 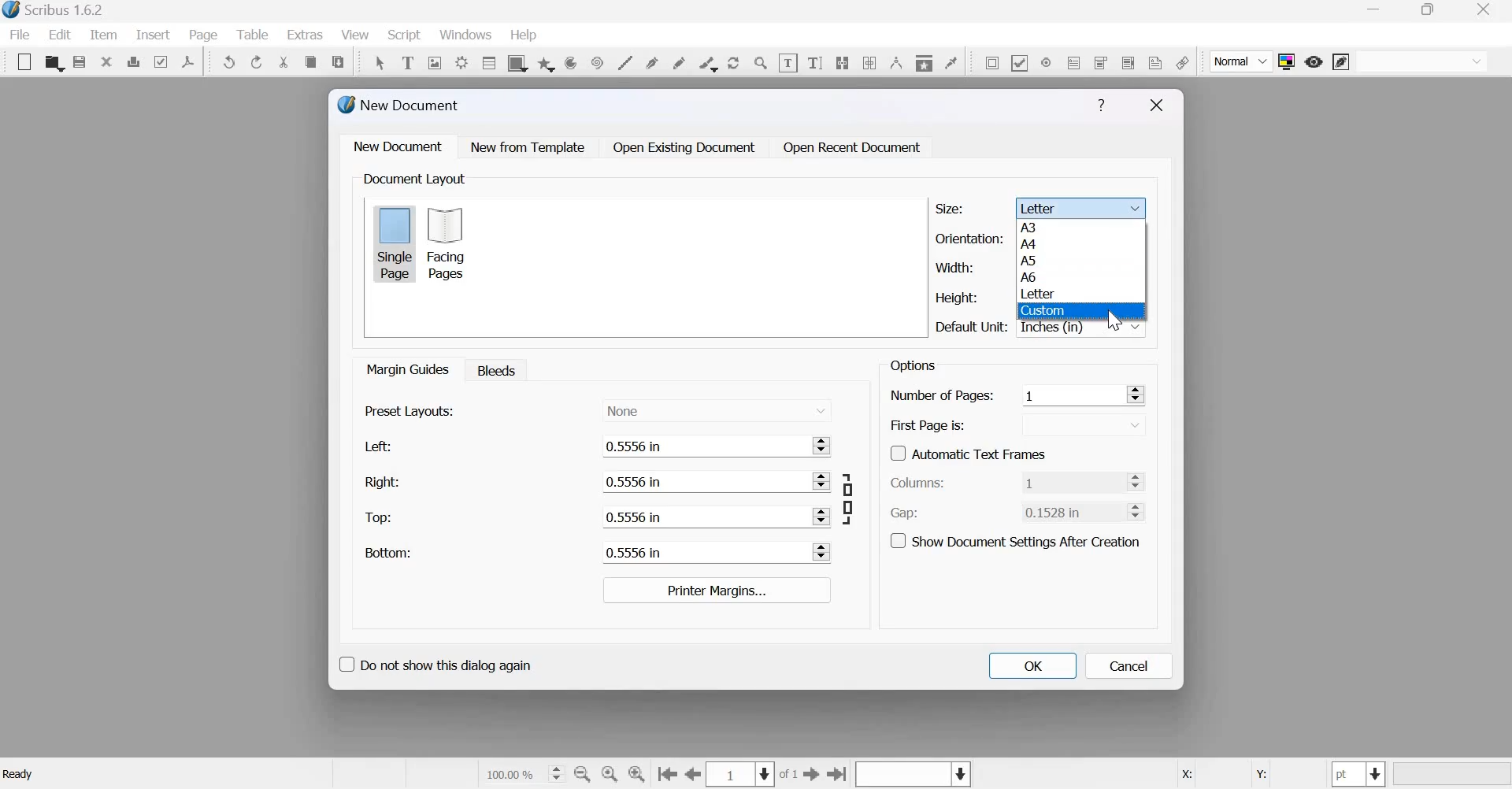 What do you see at coordinates (869, 61) in the screenshot?
I see `unlink text frames` at bounding box center [869, 61].